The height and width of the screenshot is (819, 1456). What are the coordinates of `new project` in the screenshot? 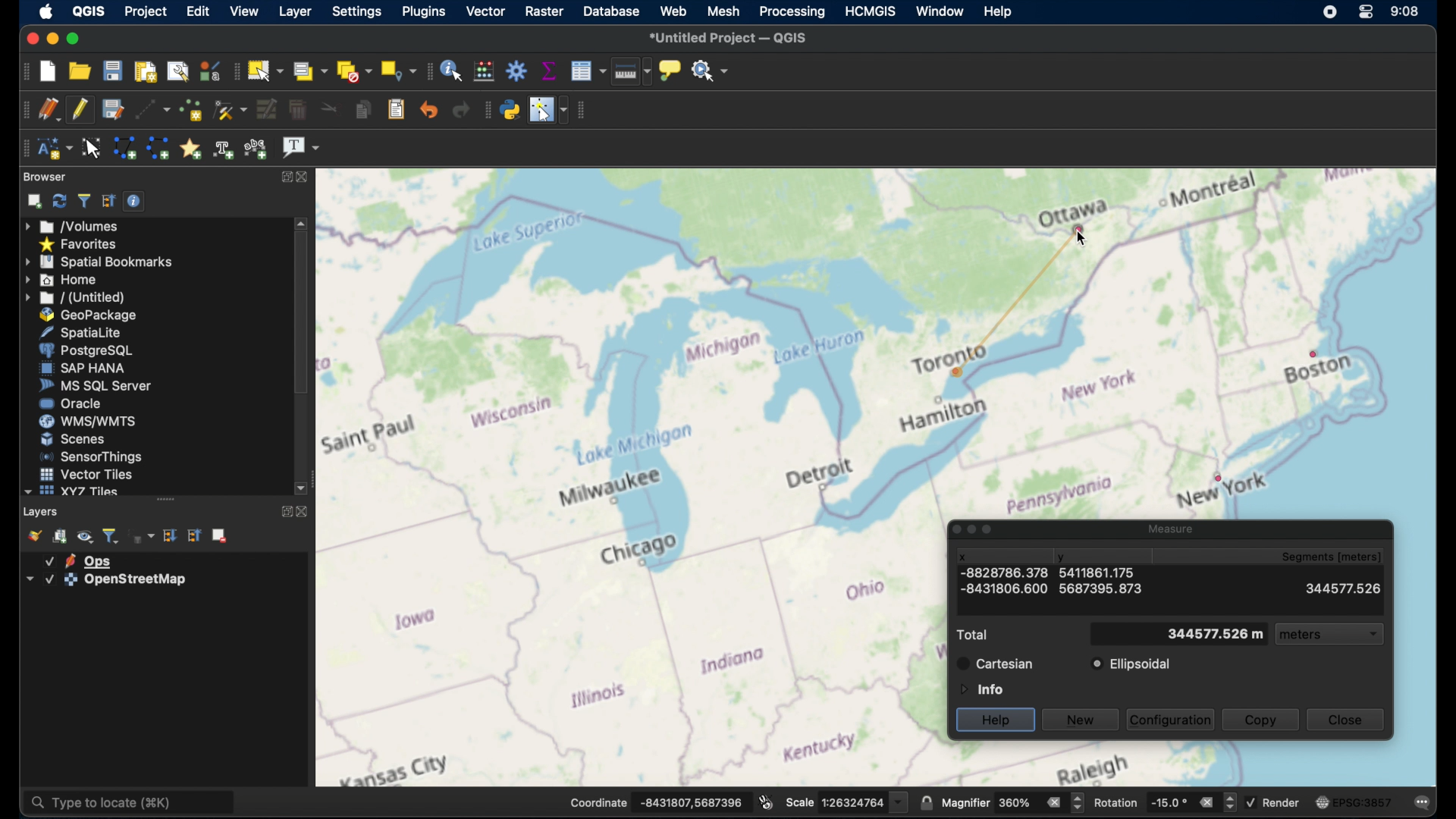 It's located at (49, 70).